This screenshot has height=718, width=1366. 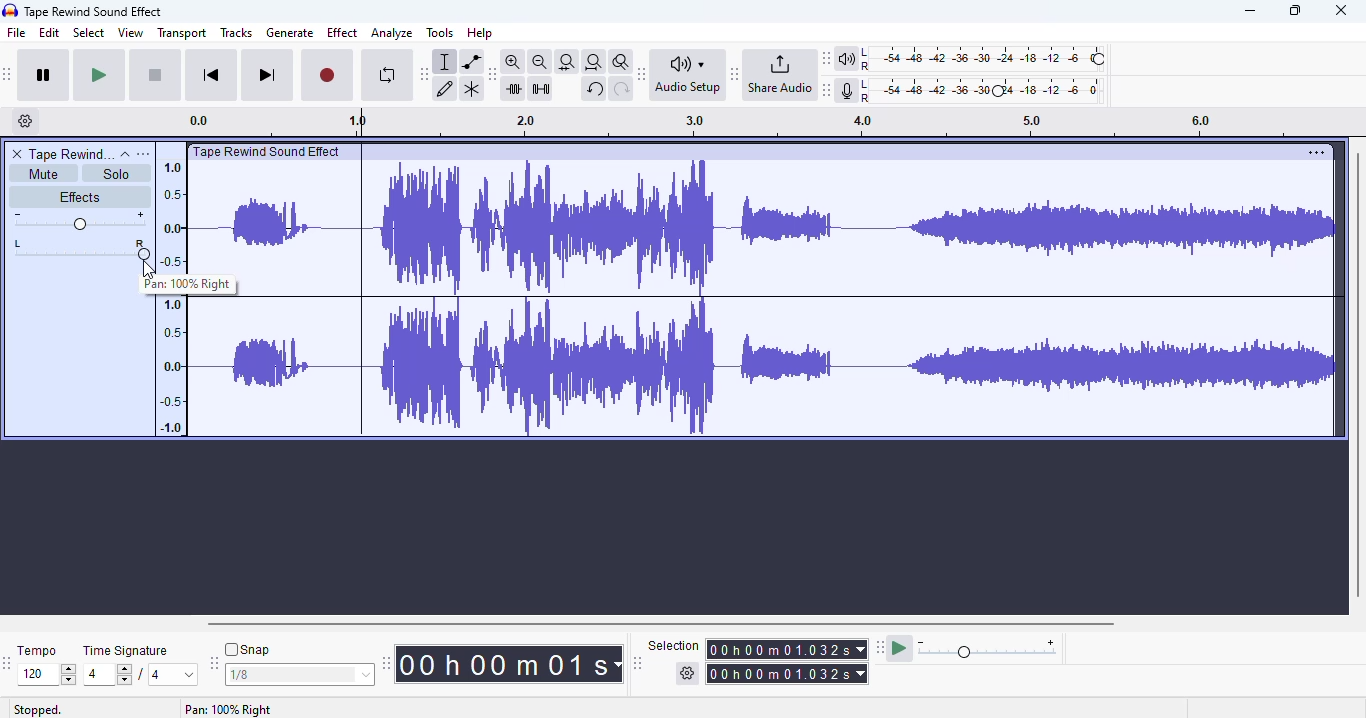 I want to click on audacity selection toolbar, so click(x=637, y=663).